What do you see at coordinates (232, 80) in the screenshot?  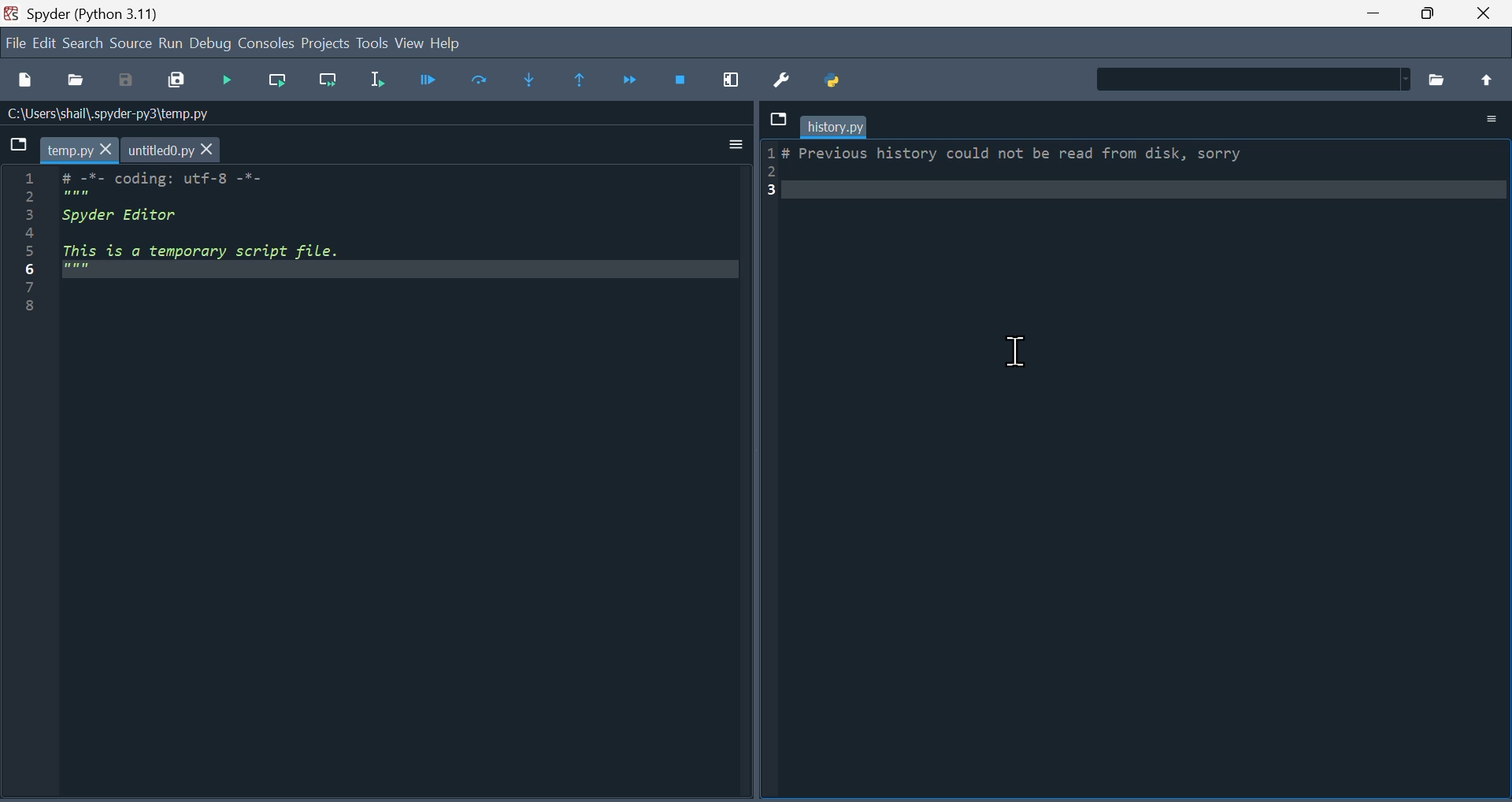 I see `Run files` at bounding box center [232, 80].